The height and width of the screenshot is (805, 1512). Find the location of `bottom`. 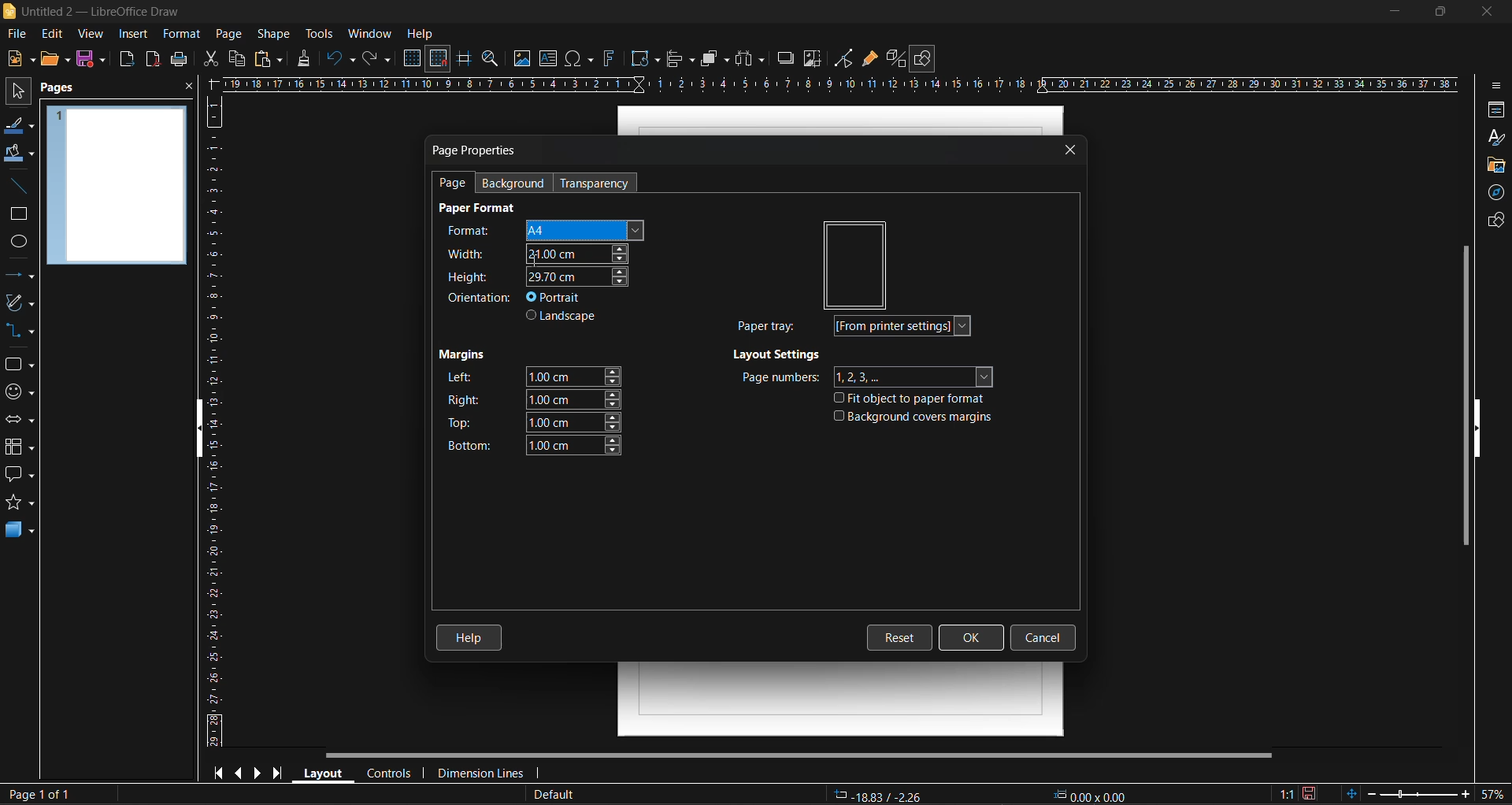

bottom is located at coordinates (529, 444).